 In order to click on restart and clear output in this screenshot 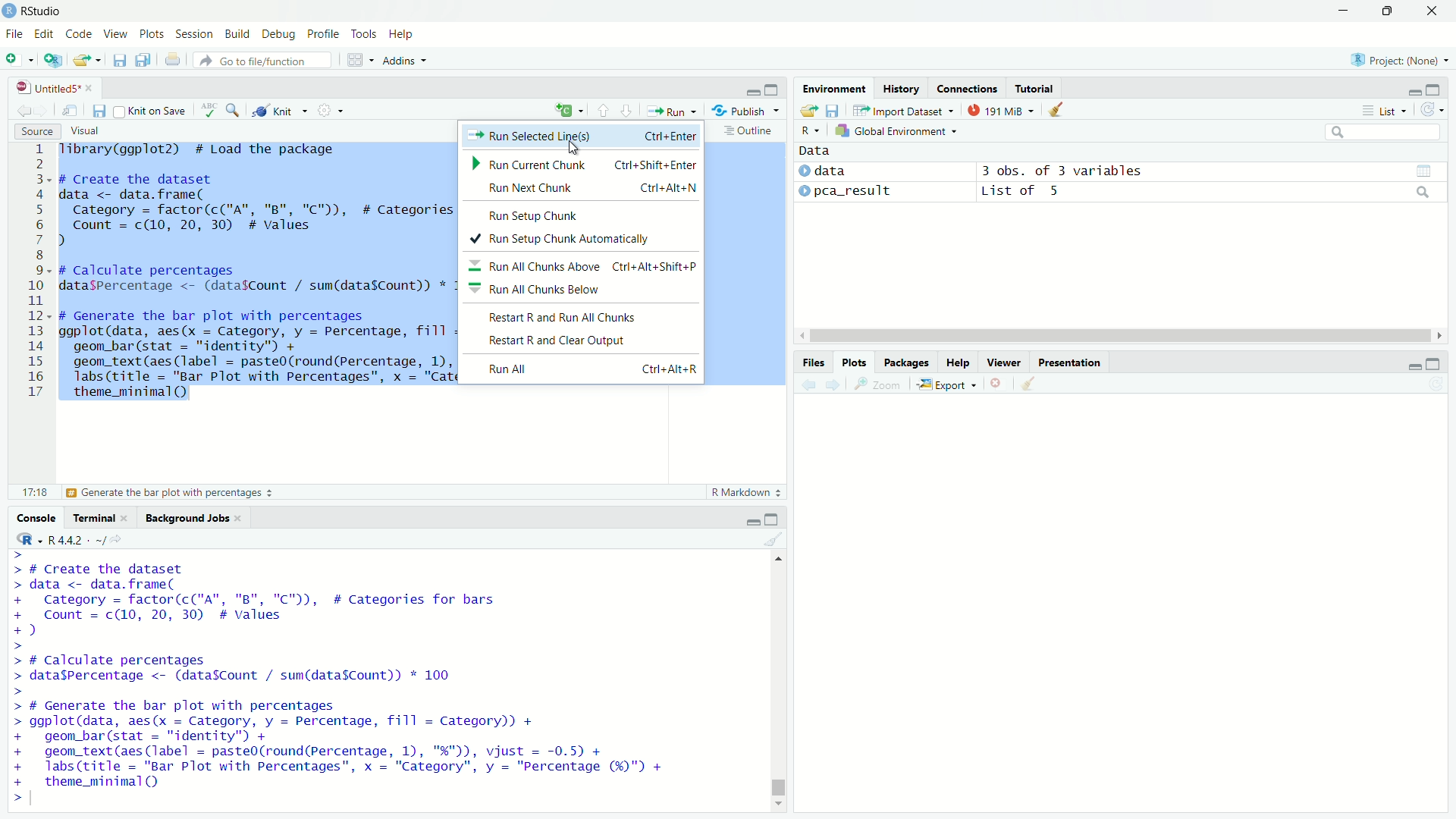, I will do `click(585, 339)`.